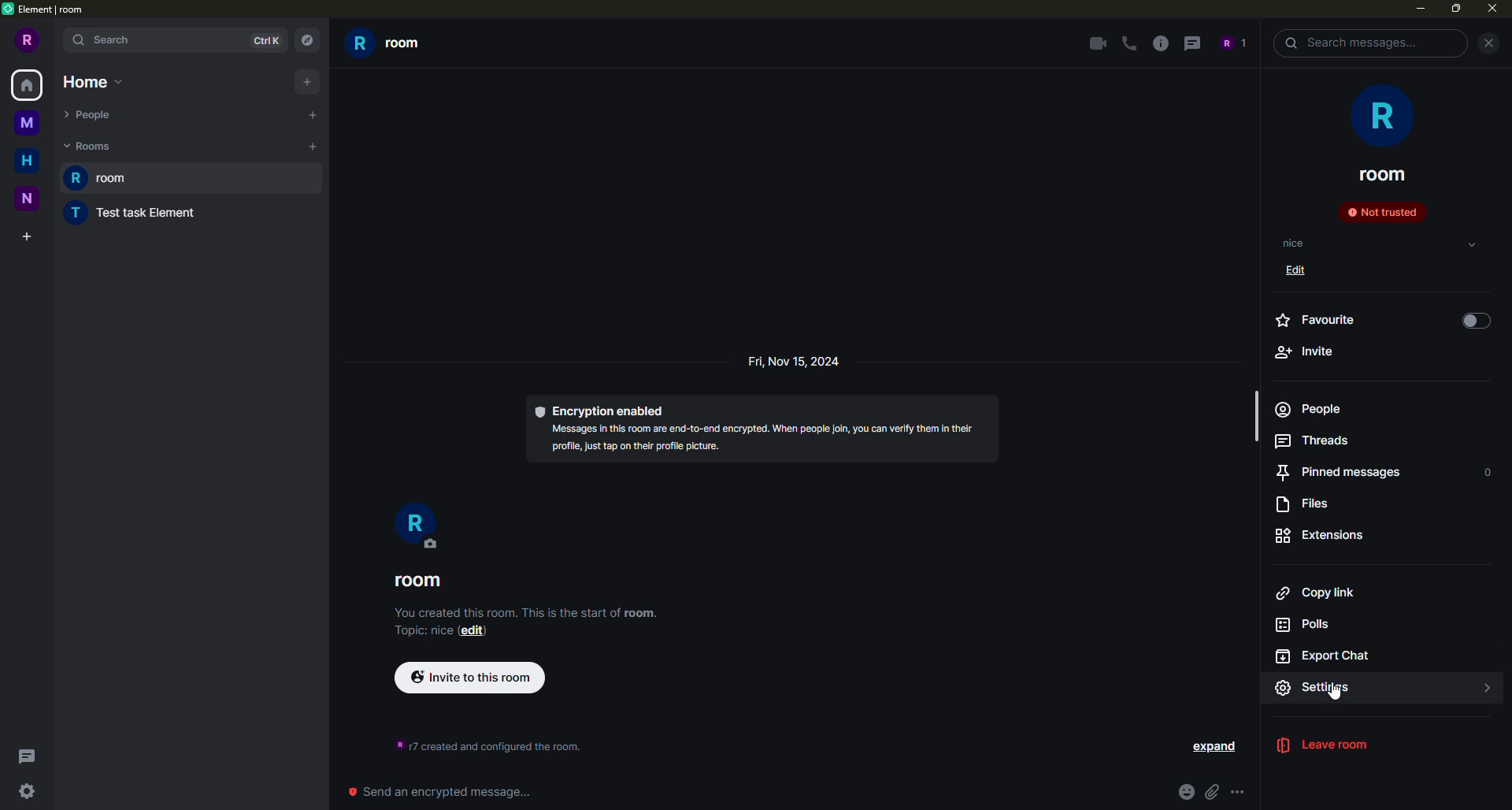 The width and height of the screenshot is (1512, 810). What do you see at coordinates (391, 45) in the screenshot?
I see `room R` at bounding box center [391, 45].